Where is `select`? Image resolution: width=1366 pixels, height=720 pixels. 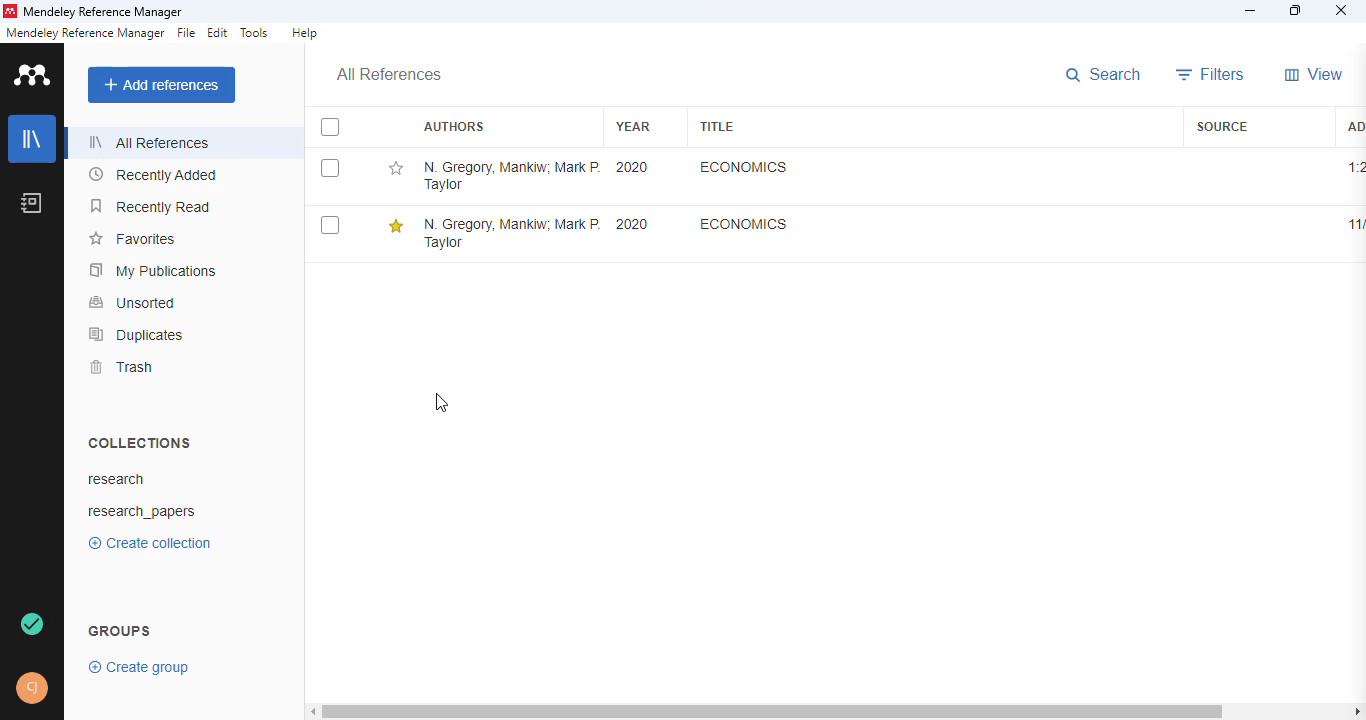
select is located at coordinates (330, 168).